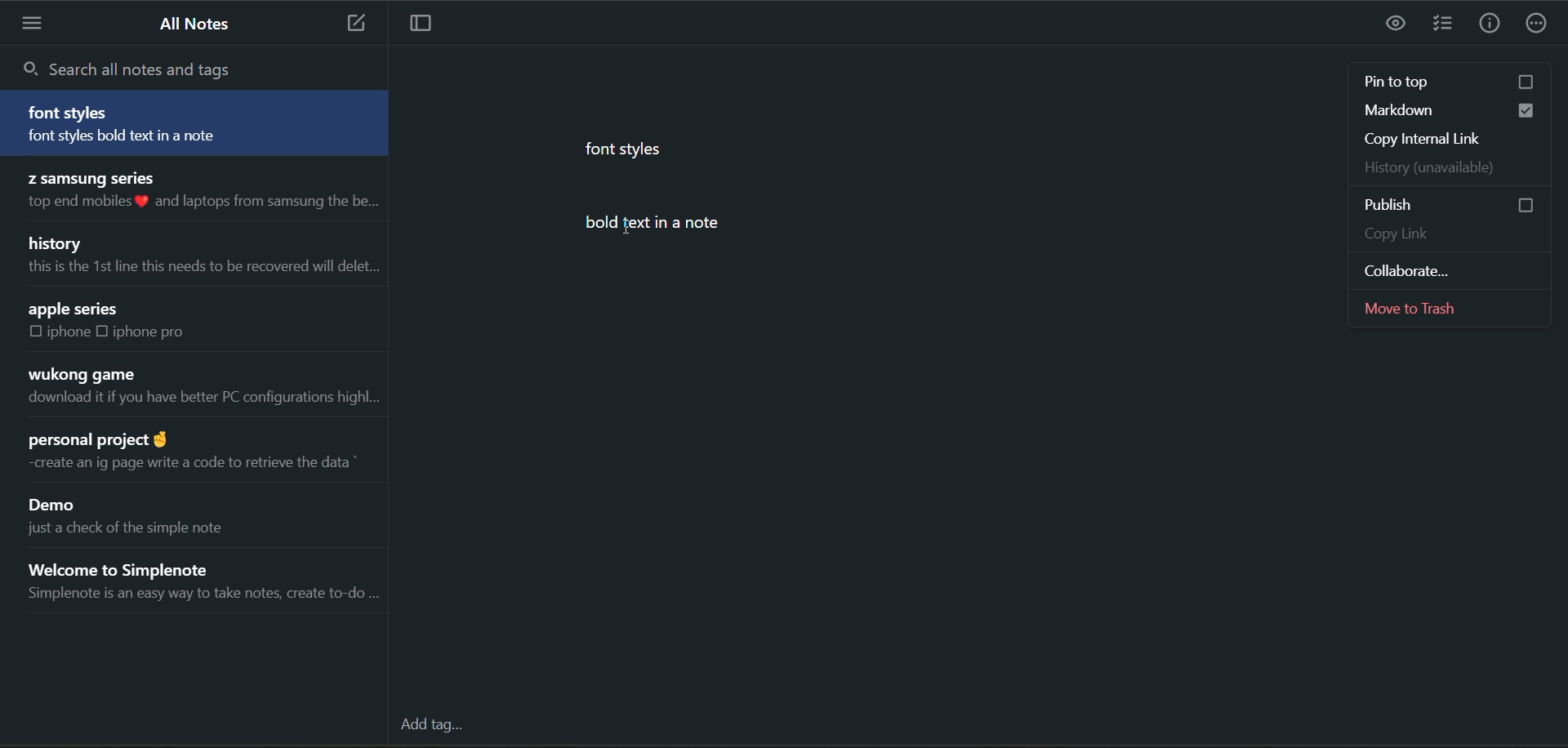 Image resolution: width=1568 pixels, height=748 pixels. I want to click on pin to top, so click(1419, 80).